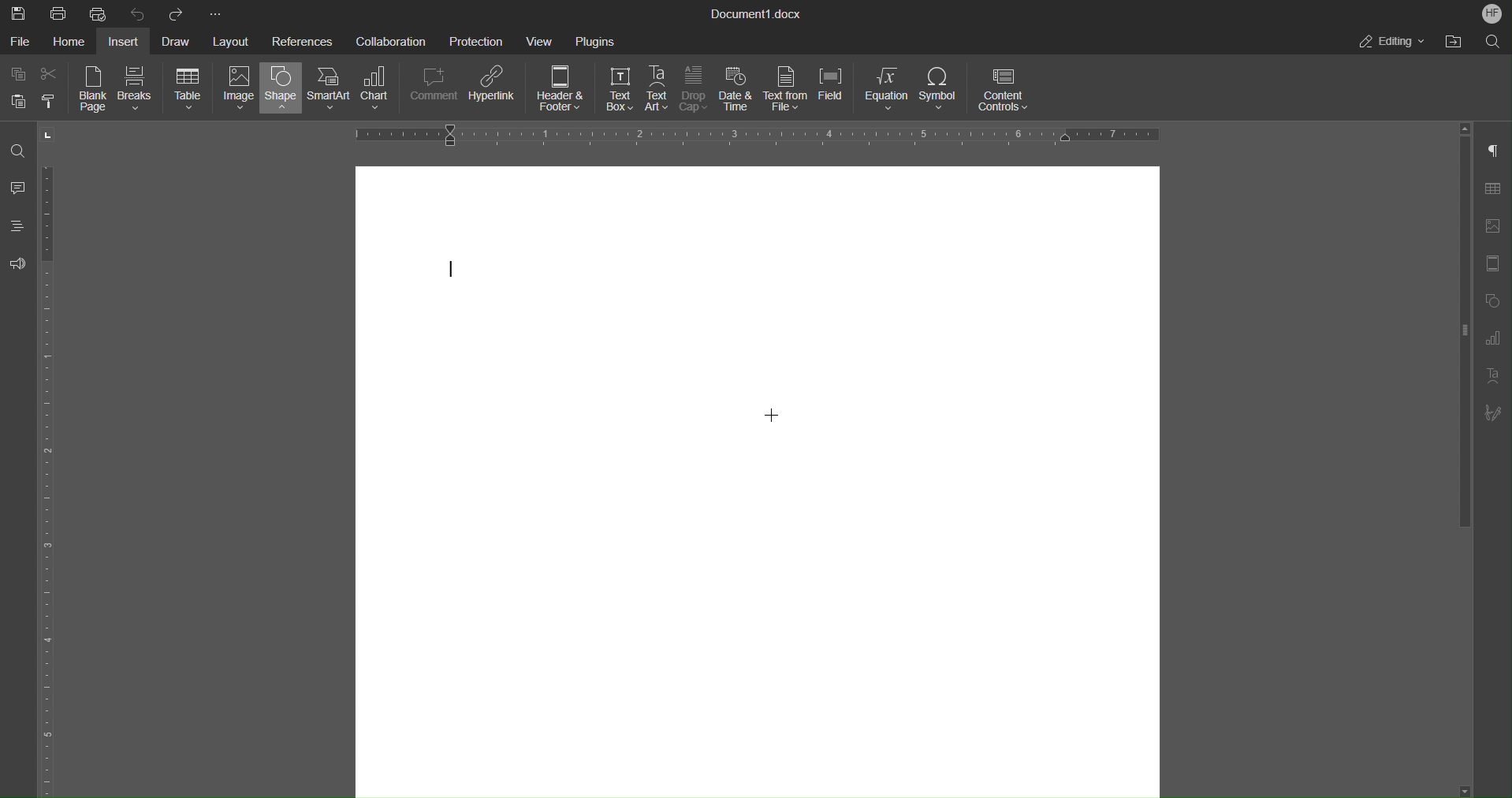  I want to click on Draw, so click(180, 40).